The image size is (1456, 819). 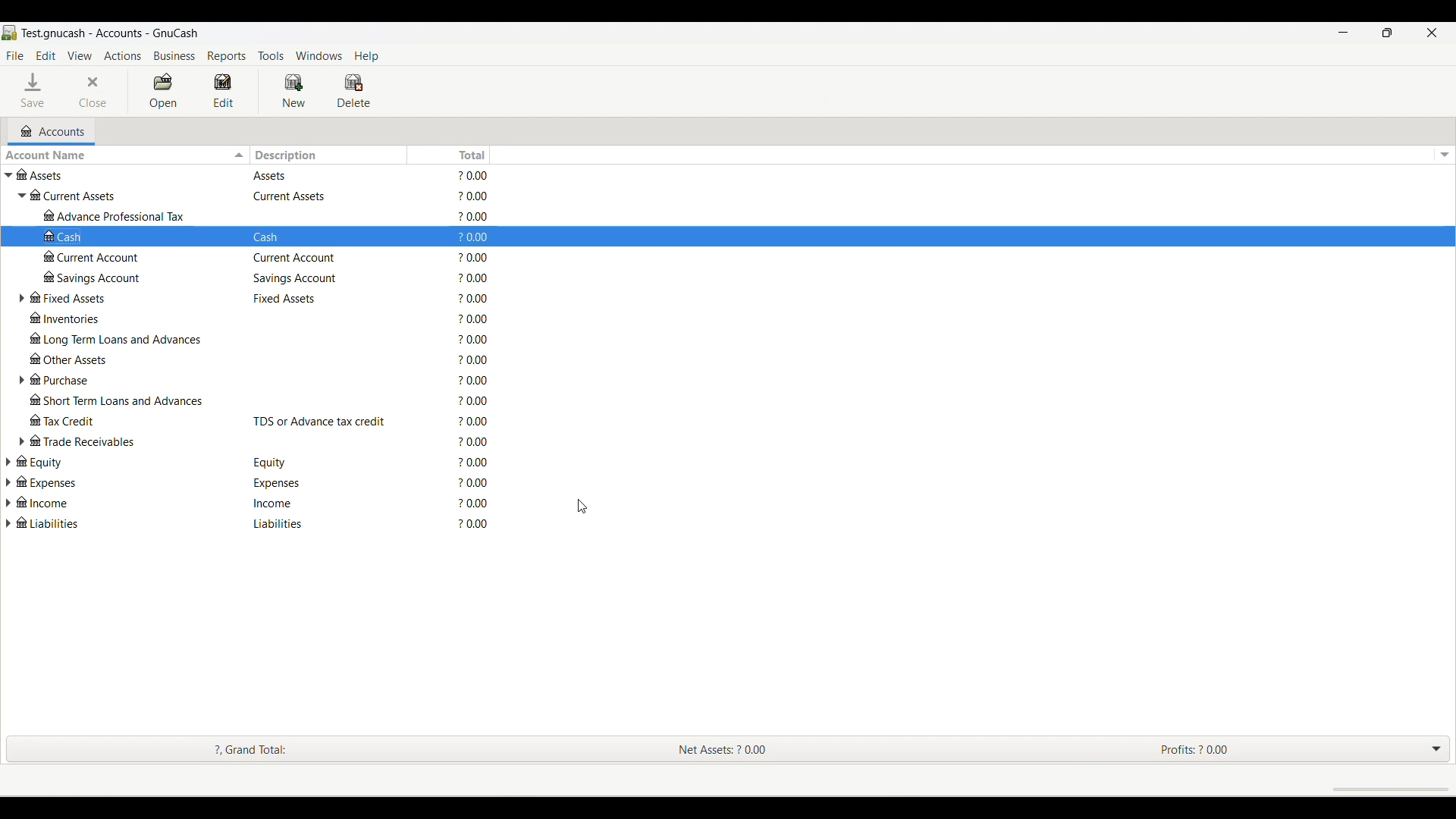 I want to click on Advanced Professional Tax, so click(x=136, y=215).